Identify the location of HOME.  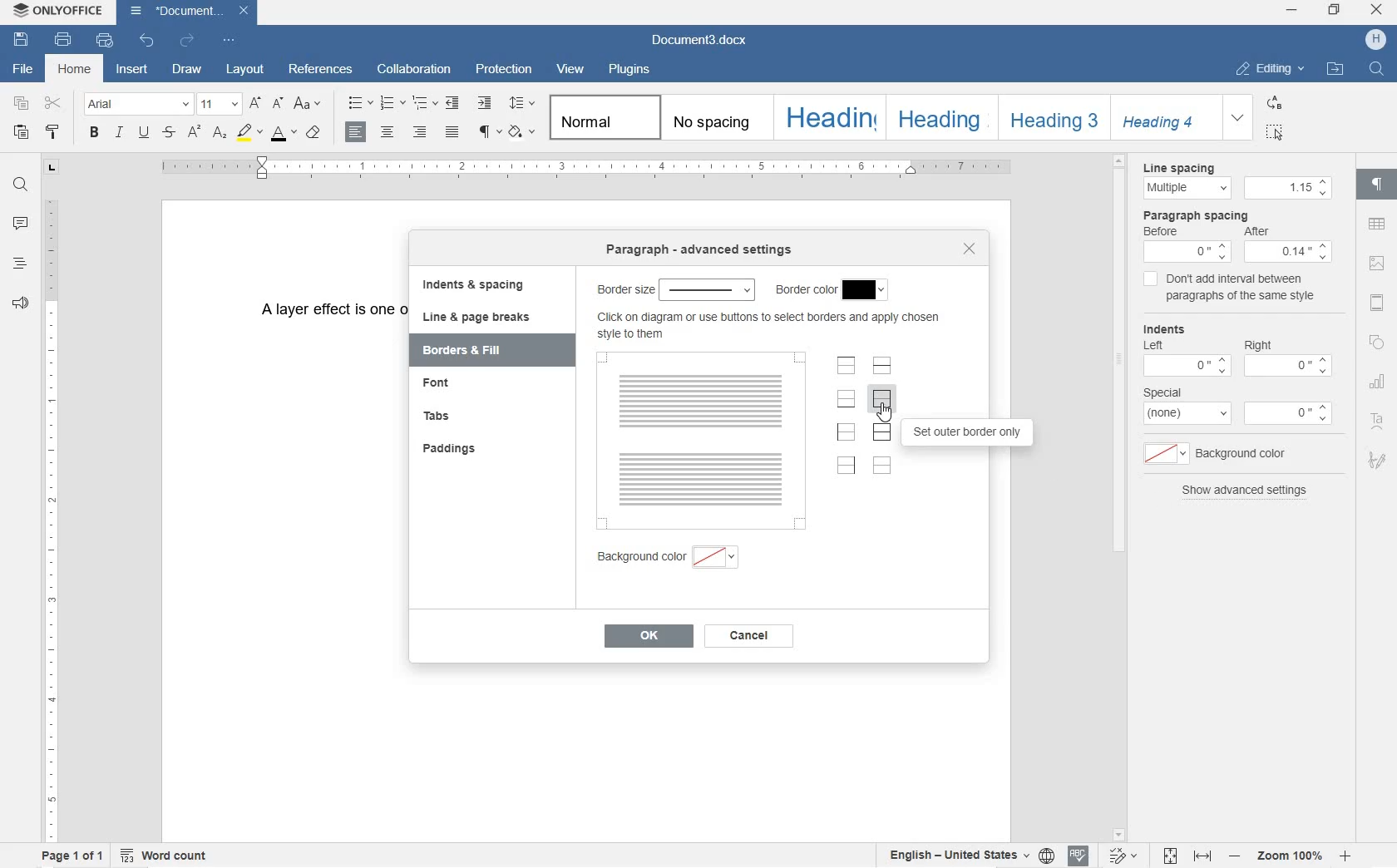
(77, 69).